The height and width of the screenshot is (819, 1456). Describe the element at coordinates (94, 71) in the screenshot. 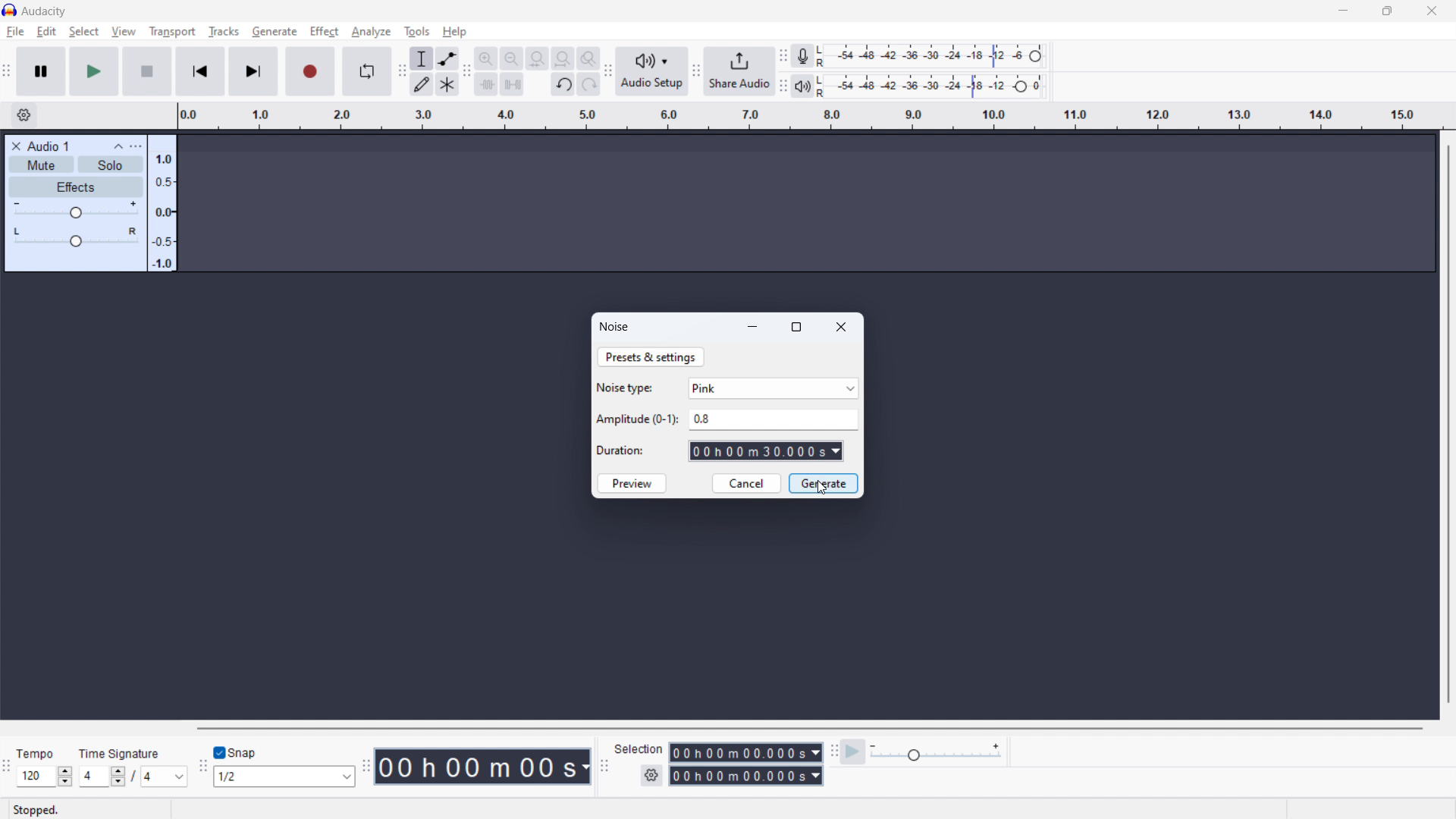

I see `play` at that location.